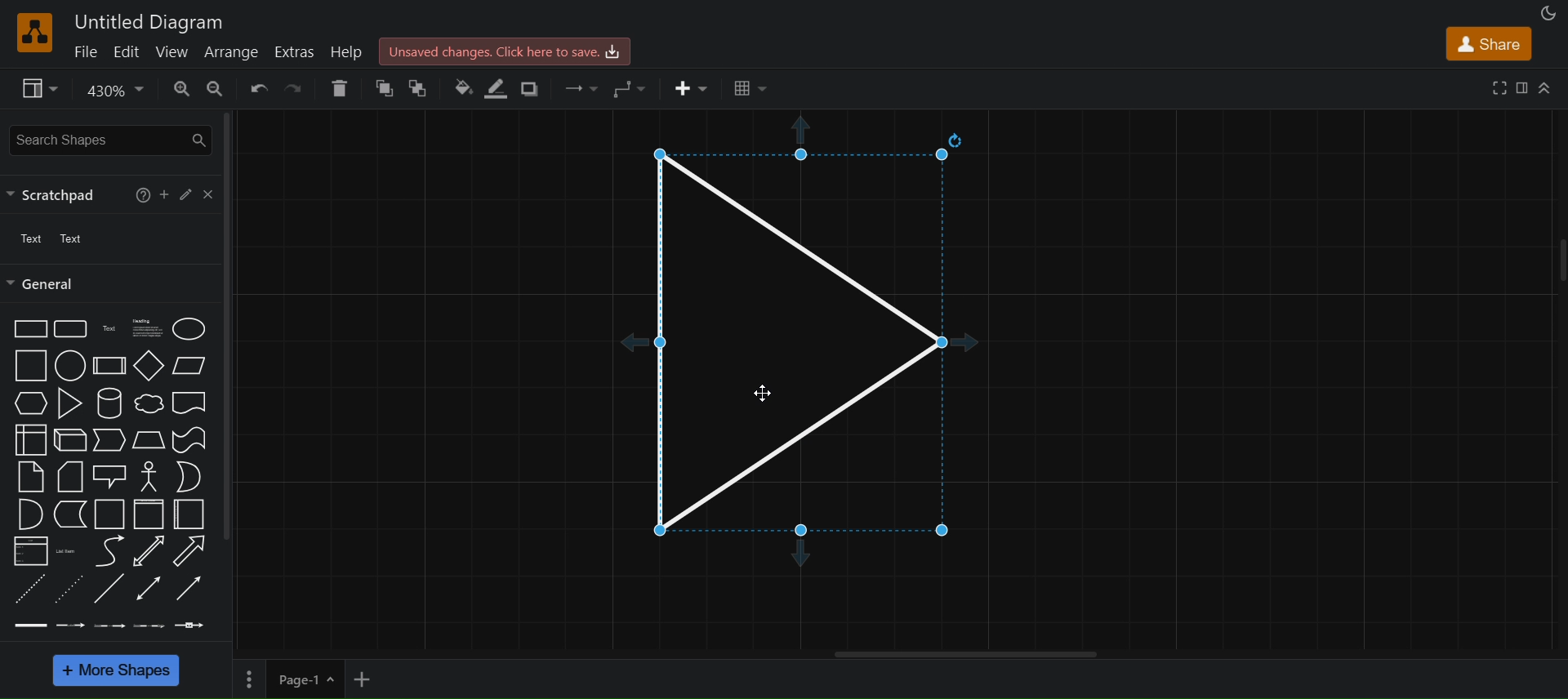 The height and width of the screenshot is (699, 1568). What do you see at coordinates (56, 239) in the screenshot?
I see `text ` at bounding box center [56, 239].